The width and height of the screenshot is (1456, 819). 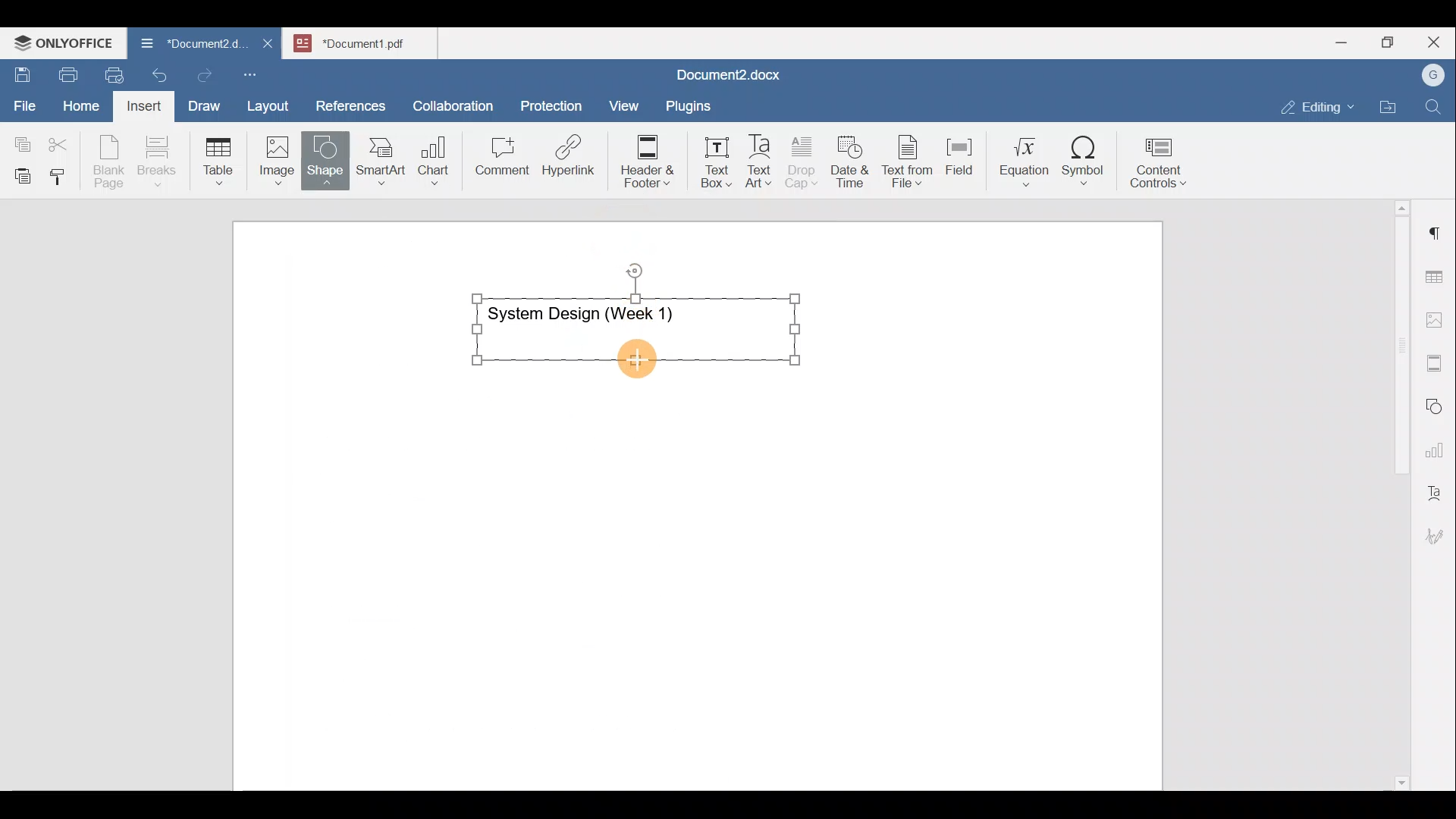 I want to click on Table settings, so click(x=1437, y=275).